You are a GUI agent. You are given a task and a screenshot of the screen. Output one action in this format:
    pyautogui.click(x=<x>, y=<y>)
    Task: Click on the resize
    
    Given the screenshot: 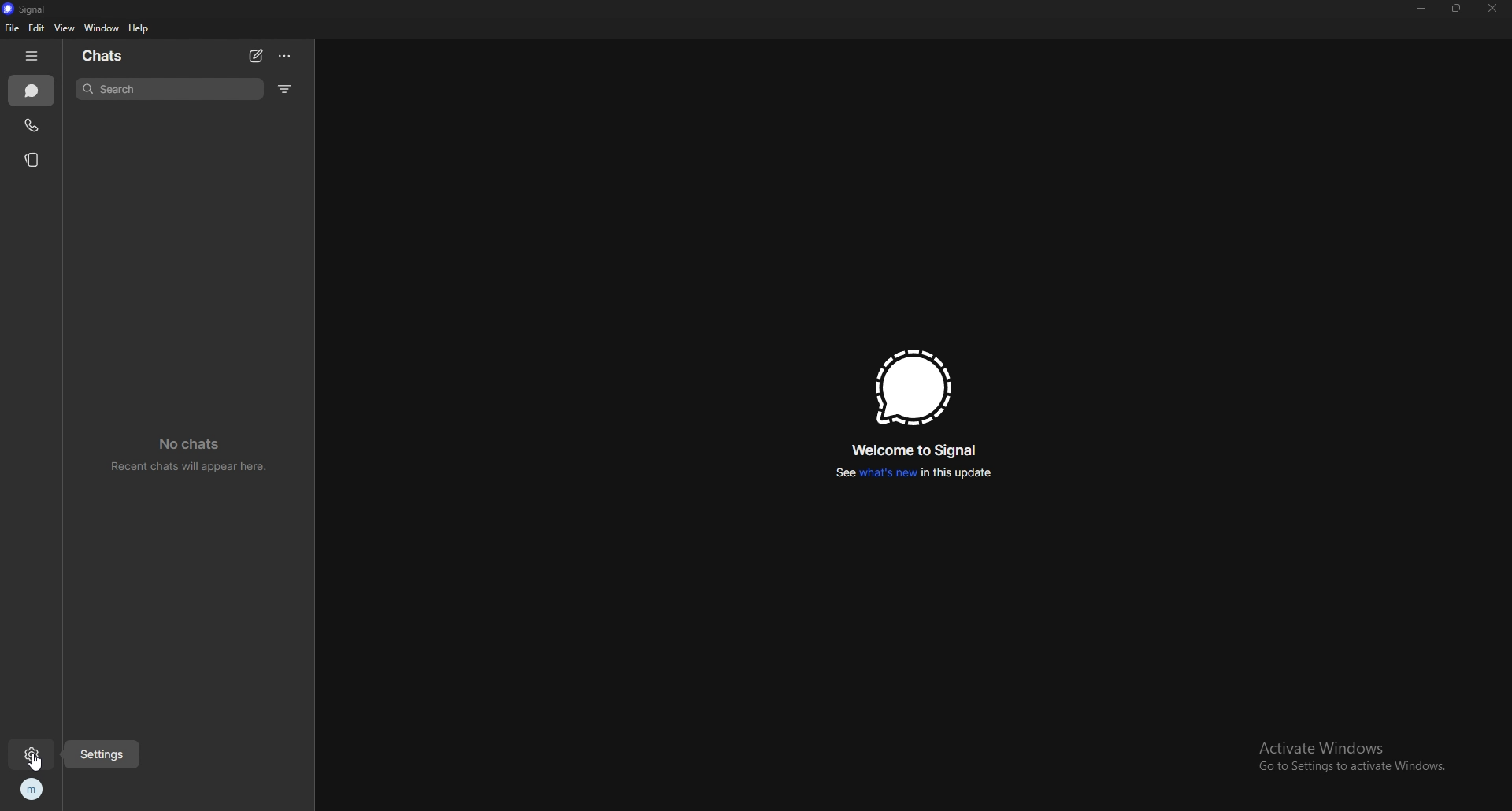 What is the action you would take?
    pyautogui.click(x=1457, y=8)
    